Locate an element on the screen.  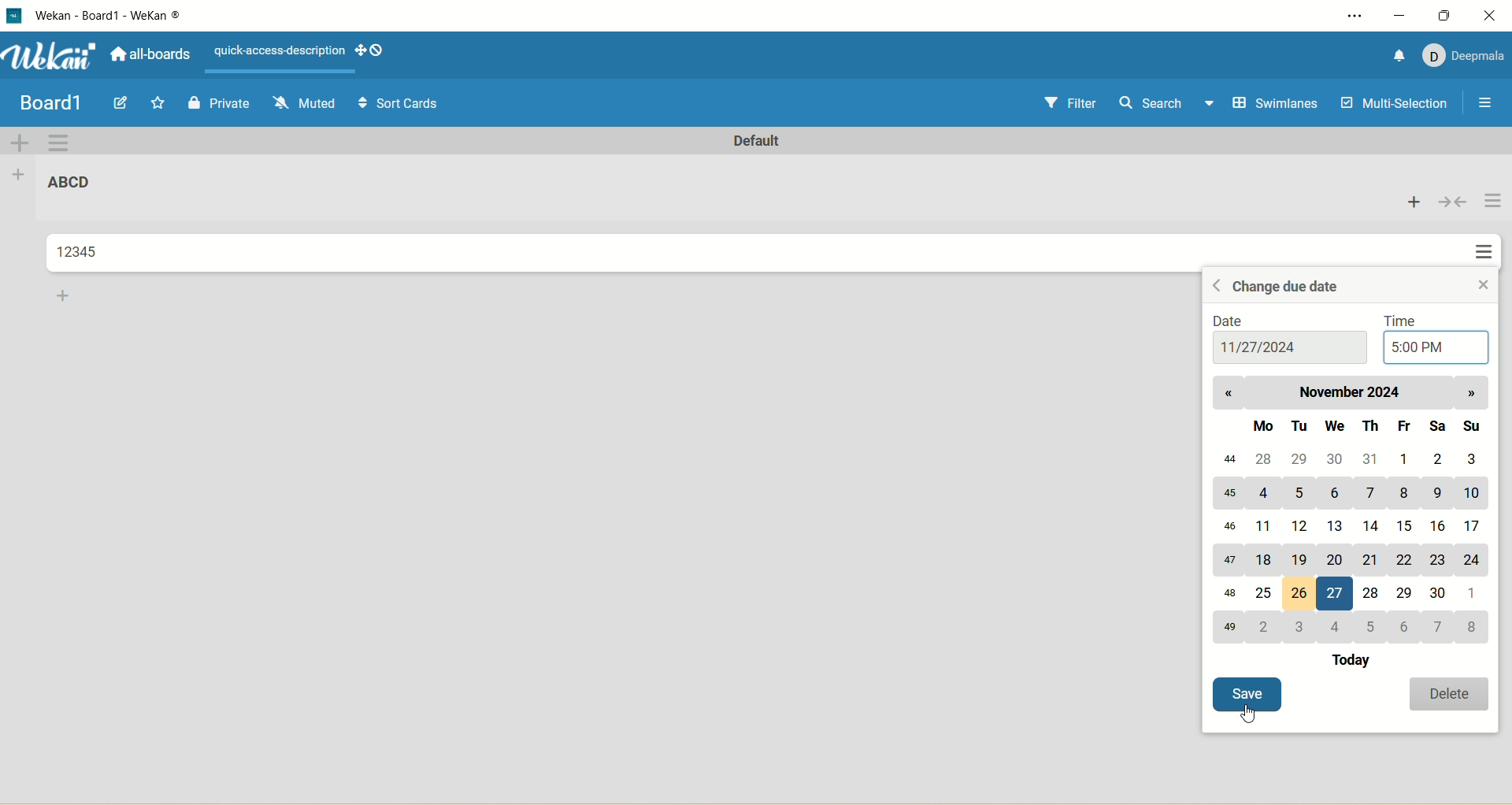
close is located at coordinates (1480, 286).